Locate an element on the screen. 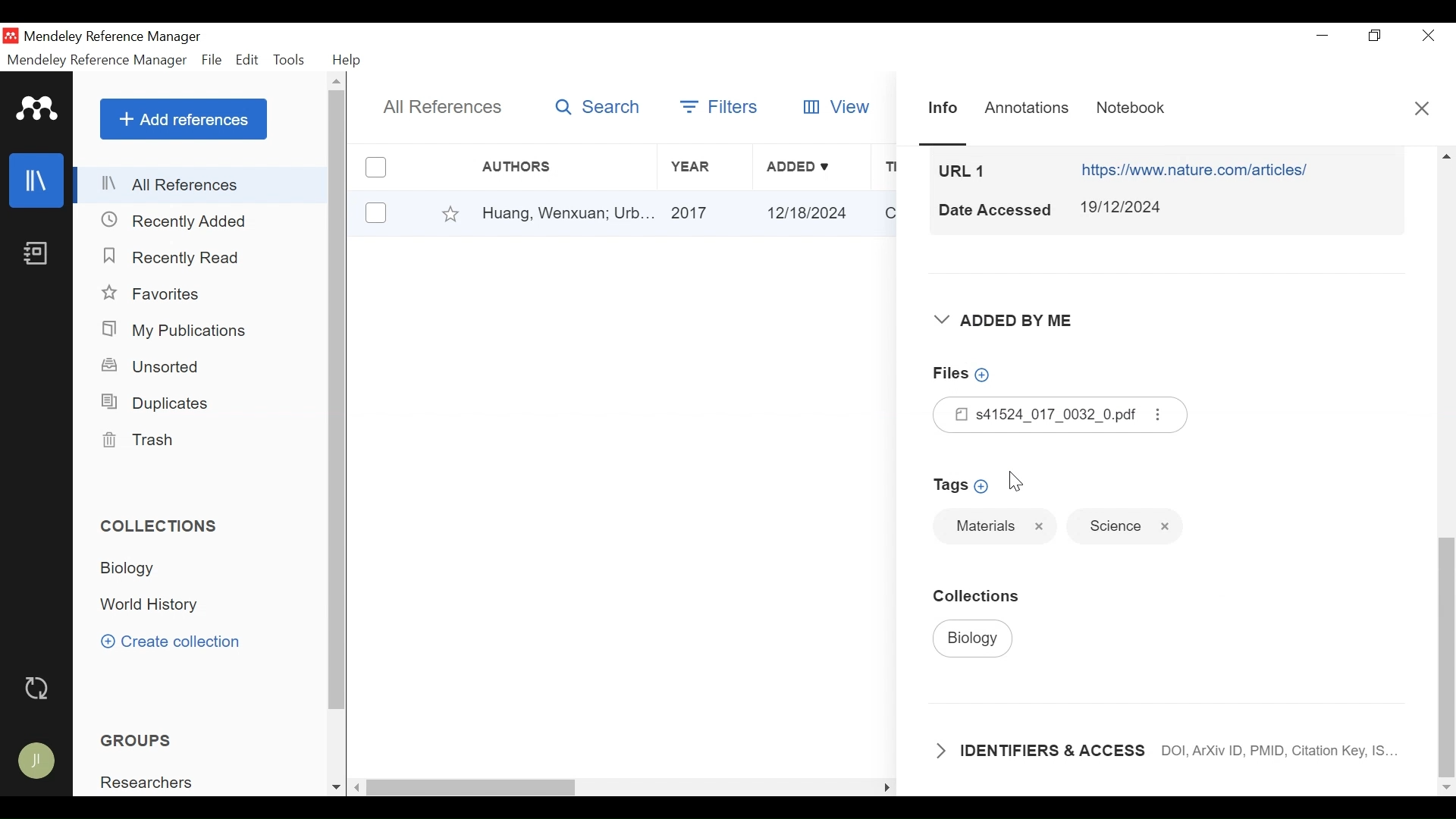  Add References is located at coordinates (184, 119).